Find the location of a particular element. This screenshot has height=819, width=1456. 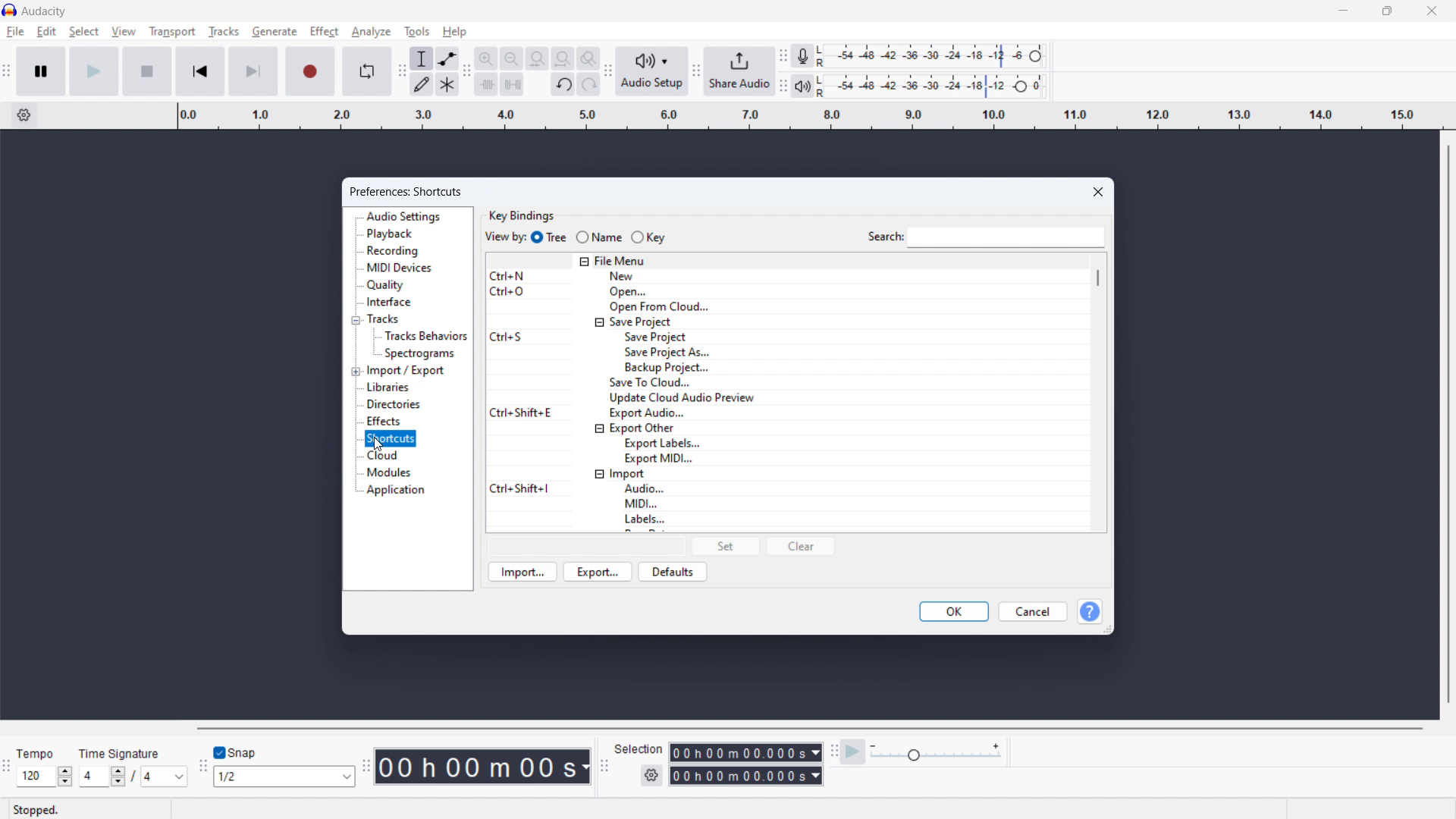

start time duration is located at coordinates (736, 752).